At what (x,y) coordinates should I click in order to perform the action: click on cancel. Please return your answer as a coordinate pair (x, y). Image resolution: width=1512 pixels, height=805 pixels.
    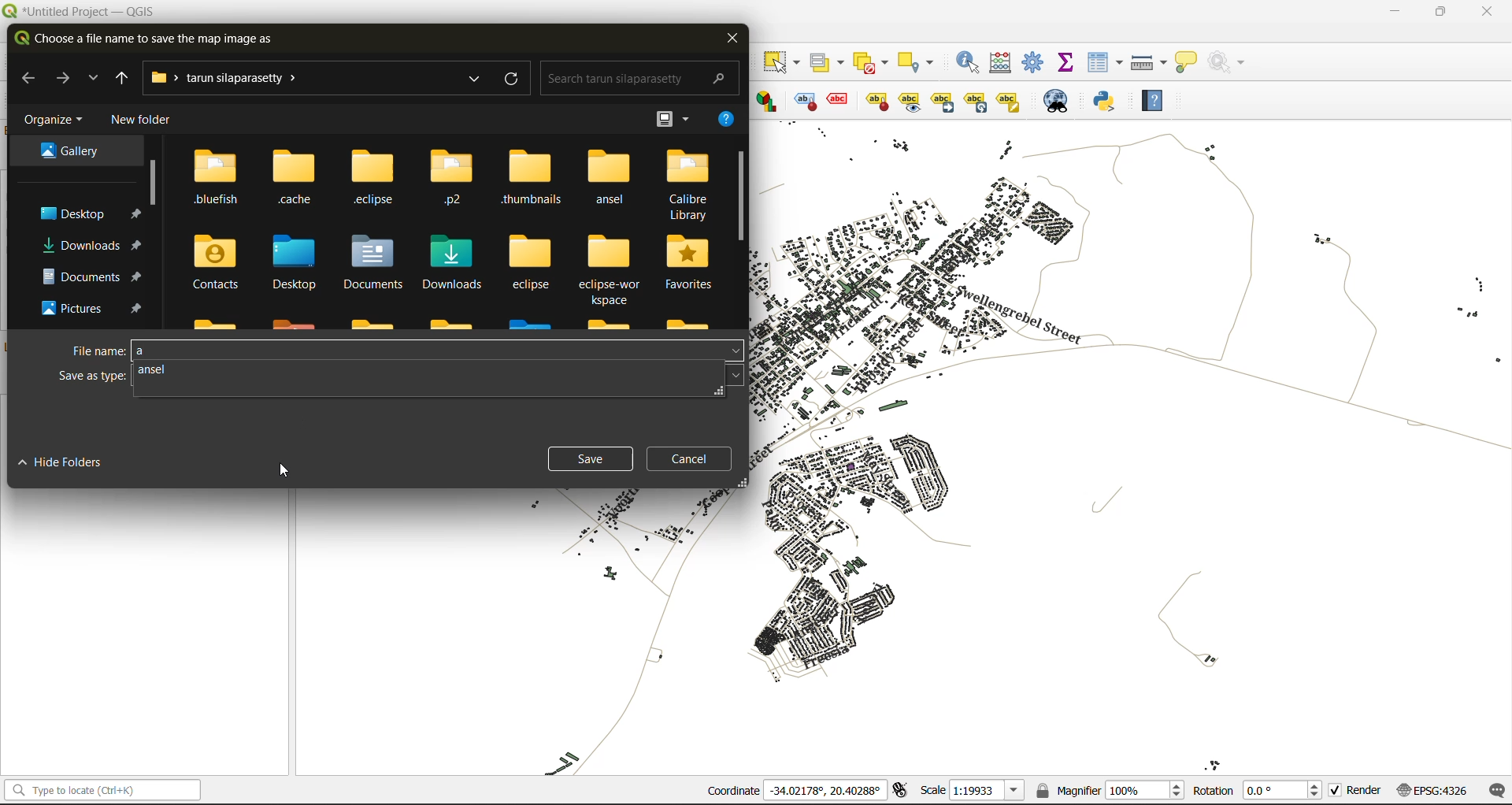
    Looking at the image, I should click on (690, 459).